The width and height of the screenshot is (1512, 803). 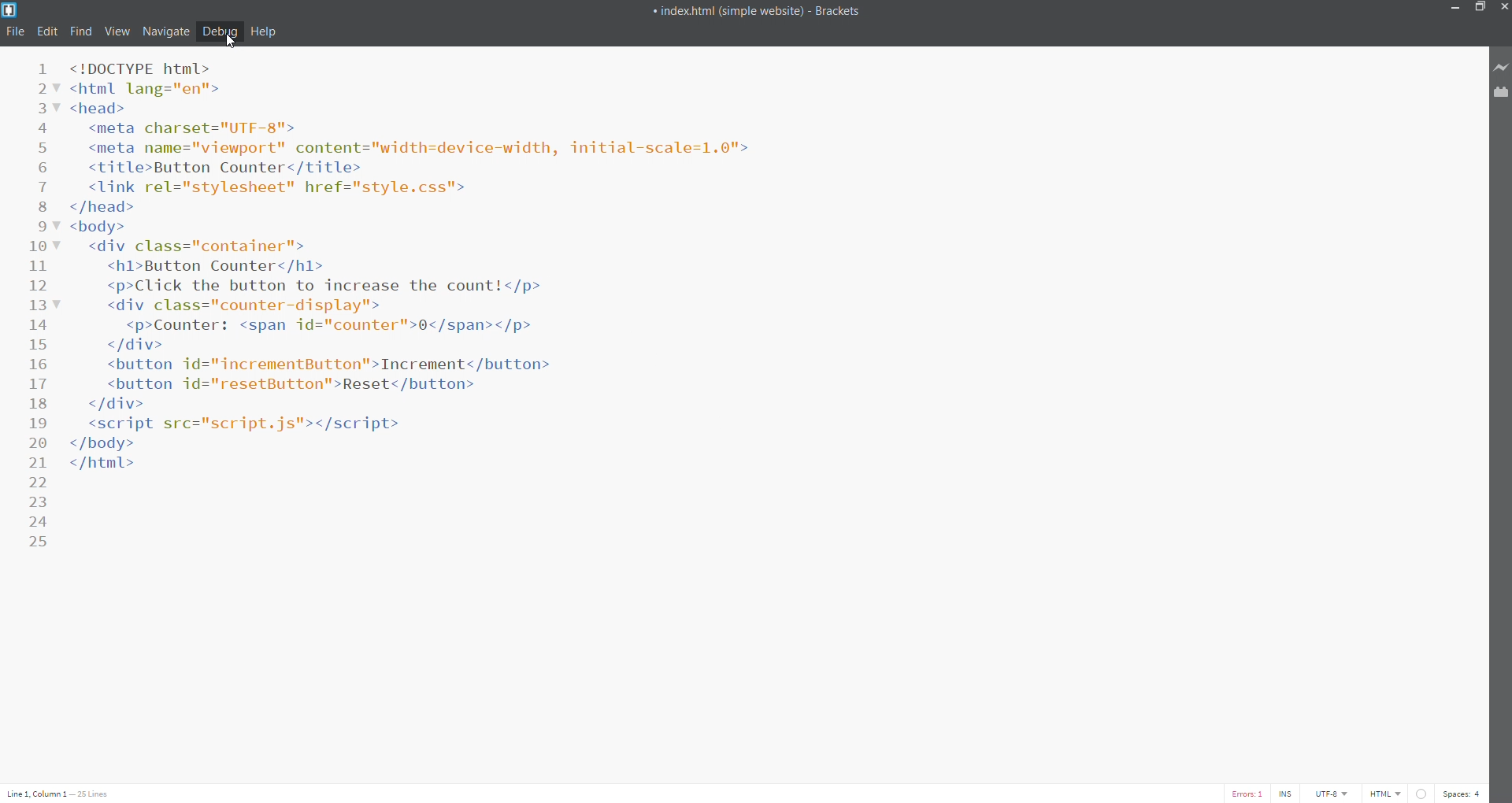 What do you see at coordinates (710, 9) in the screenshot?
I see `title bar` at bounding box center [710, 9].